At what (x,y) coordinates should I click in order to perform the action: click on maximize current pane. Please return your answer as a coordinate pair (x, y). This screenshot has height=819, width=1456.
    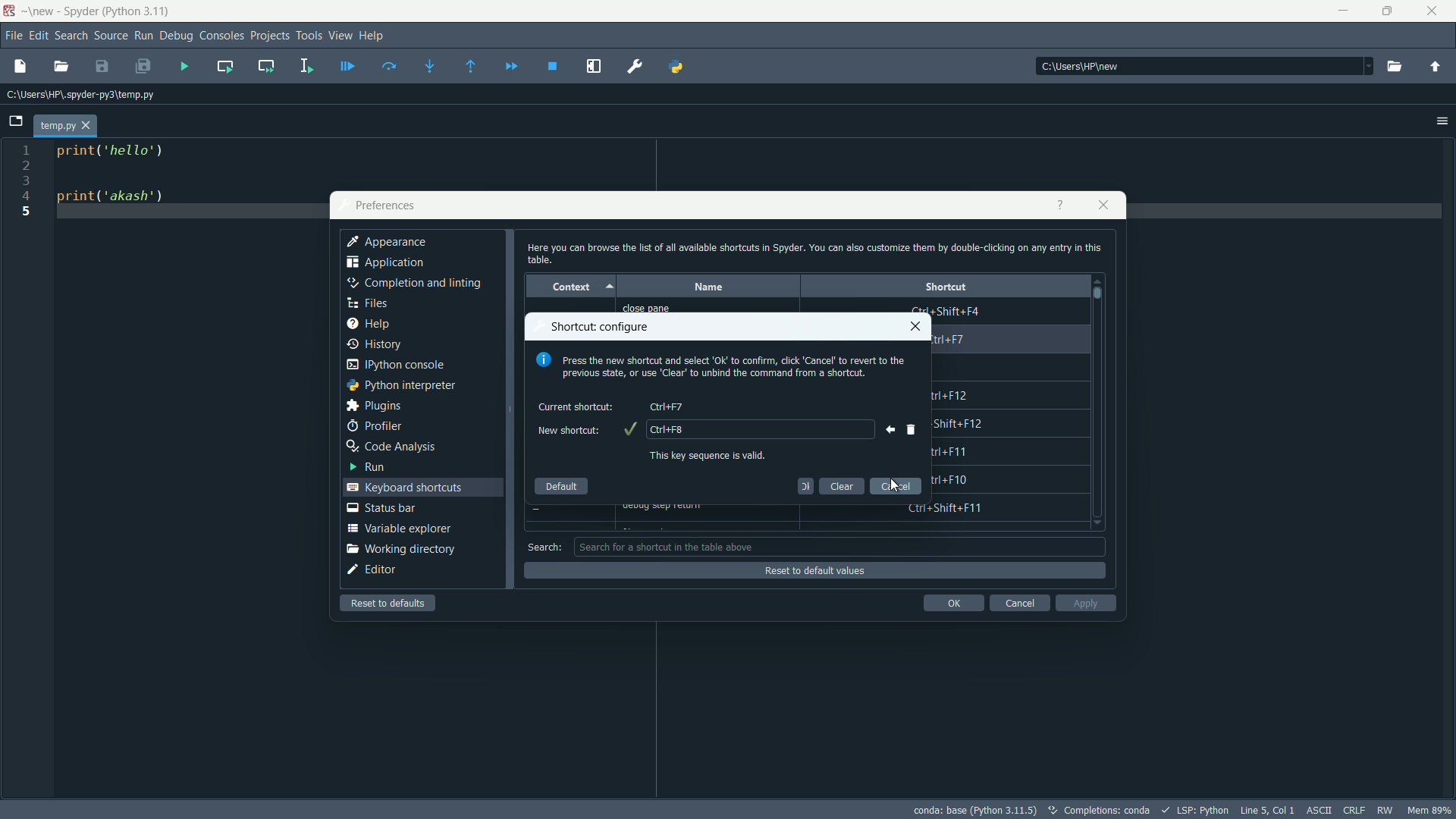
    Looking at the image, I should click on (594, 67).